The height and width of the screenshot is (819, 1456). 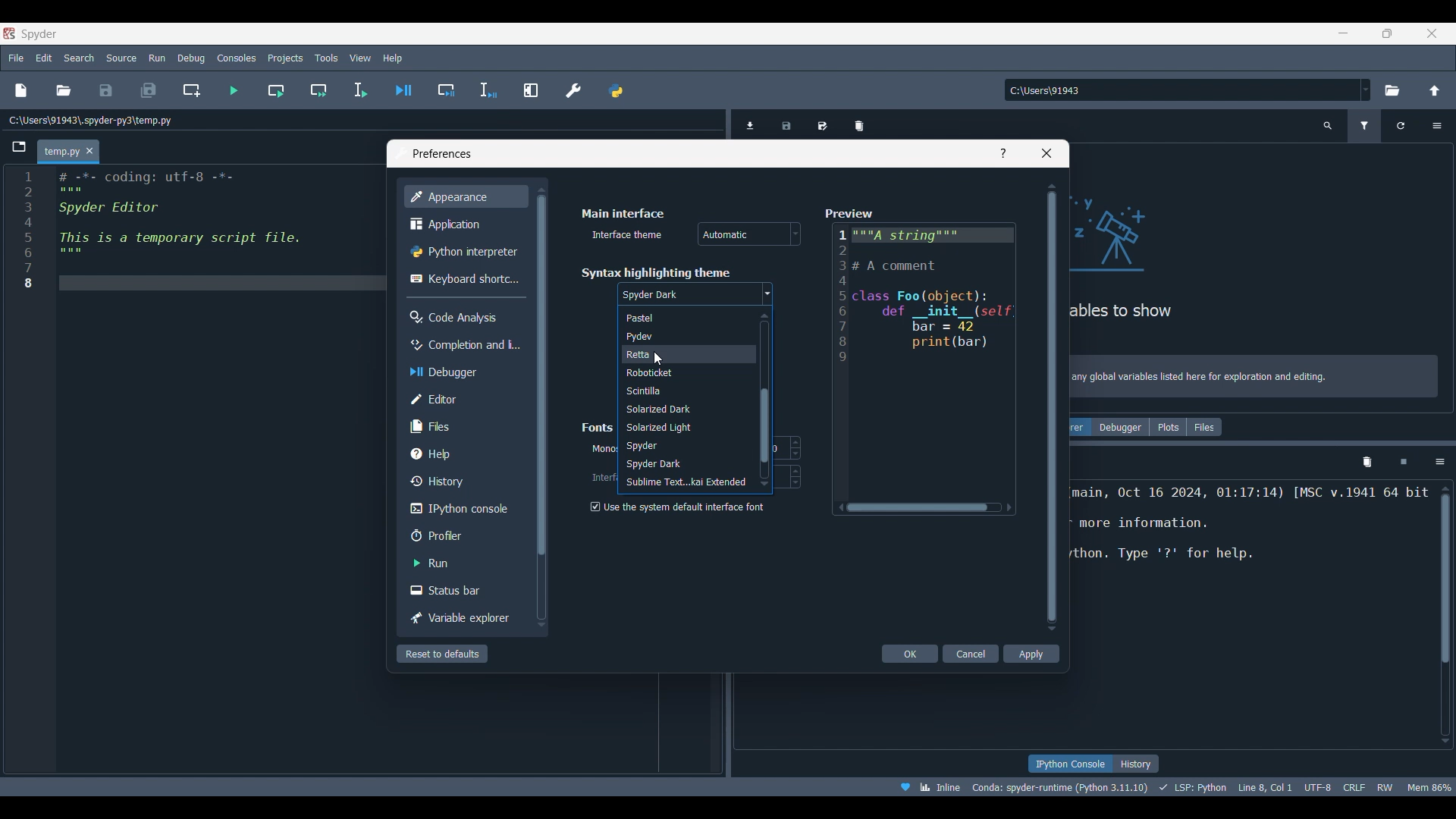 What do you see at coordinates (685, 482) in the screenshot?
I see `option` at bounding box center [685, 482].